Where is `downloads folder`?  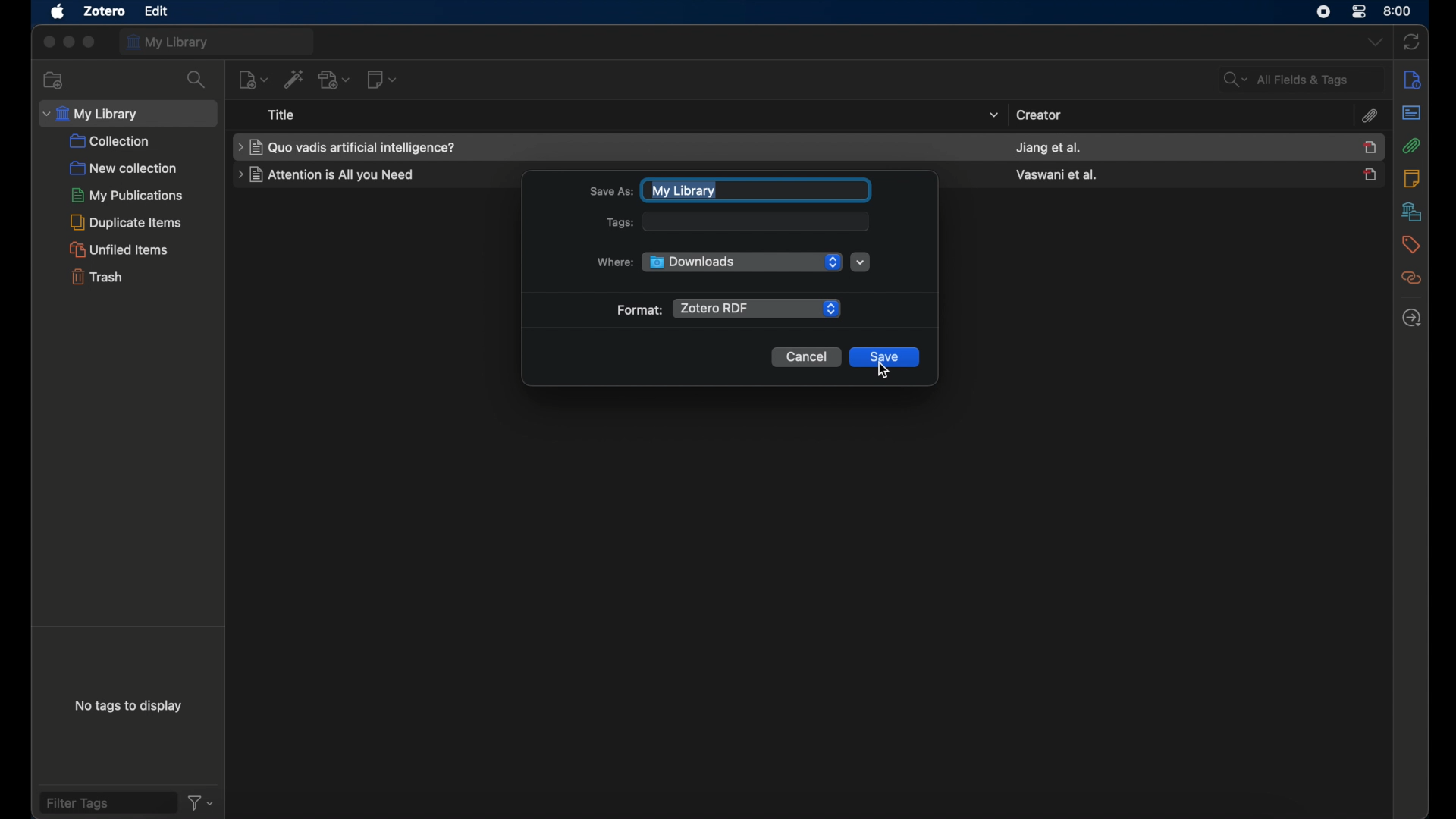
downloads folder is located at coordinates (692, 261).